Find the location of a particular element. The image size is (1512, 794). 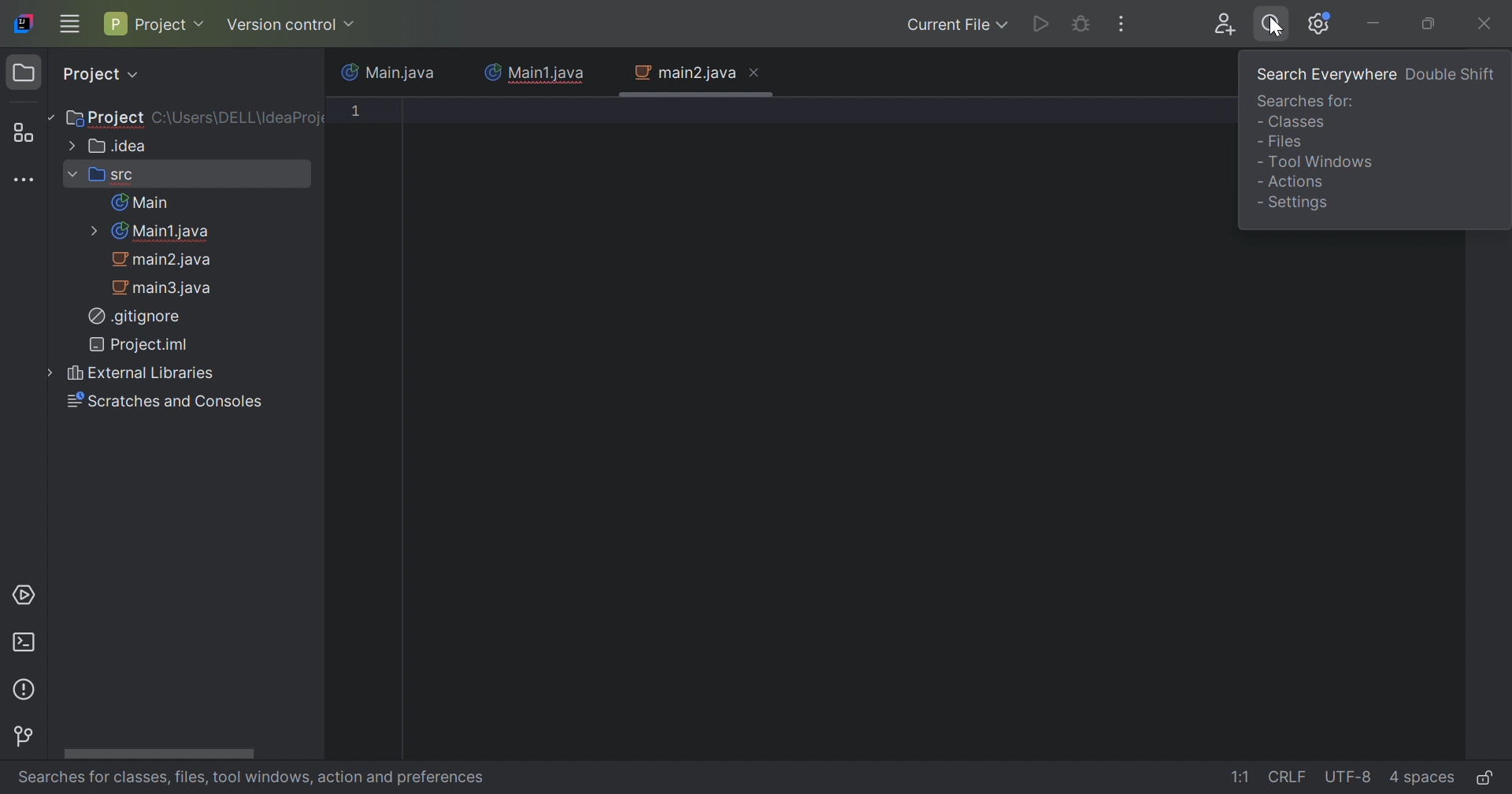

Main is located at coordinates (139, 202).